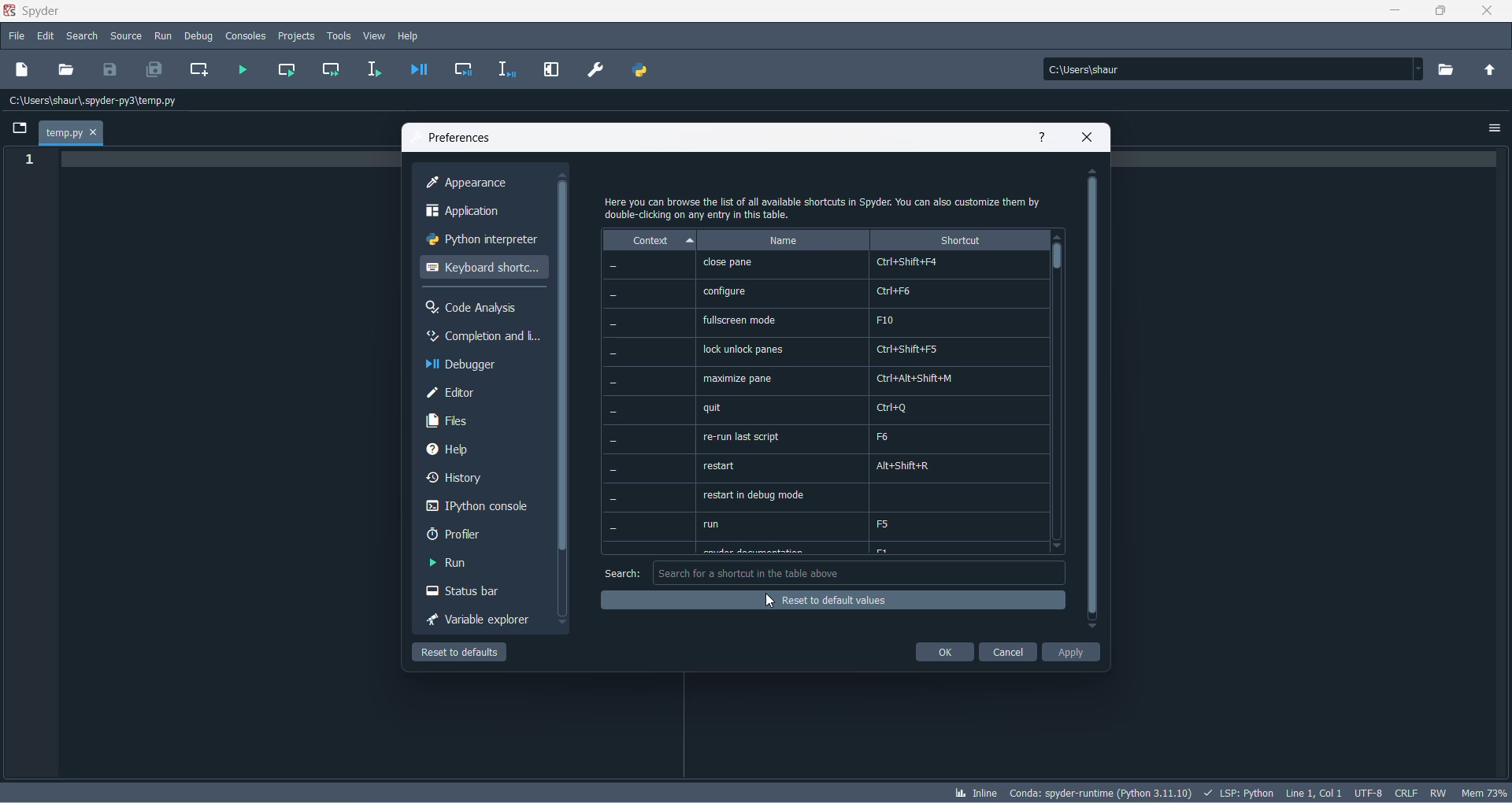  Describe the element at coordinates (1090, 136) in the screenshot. I see `close` at that location.